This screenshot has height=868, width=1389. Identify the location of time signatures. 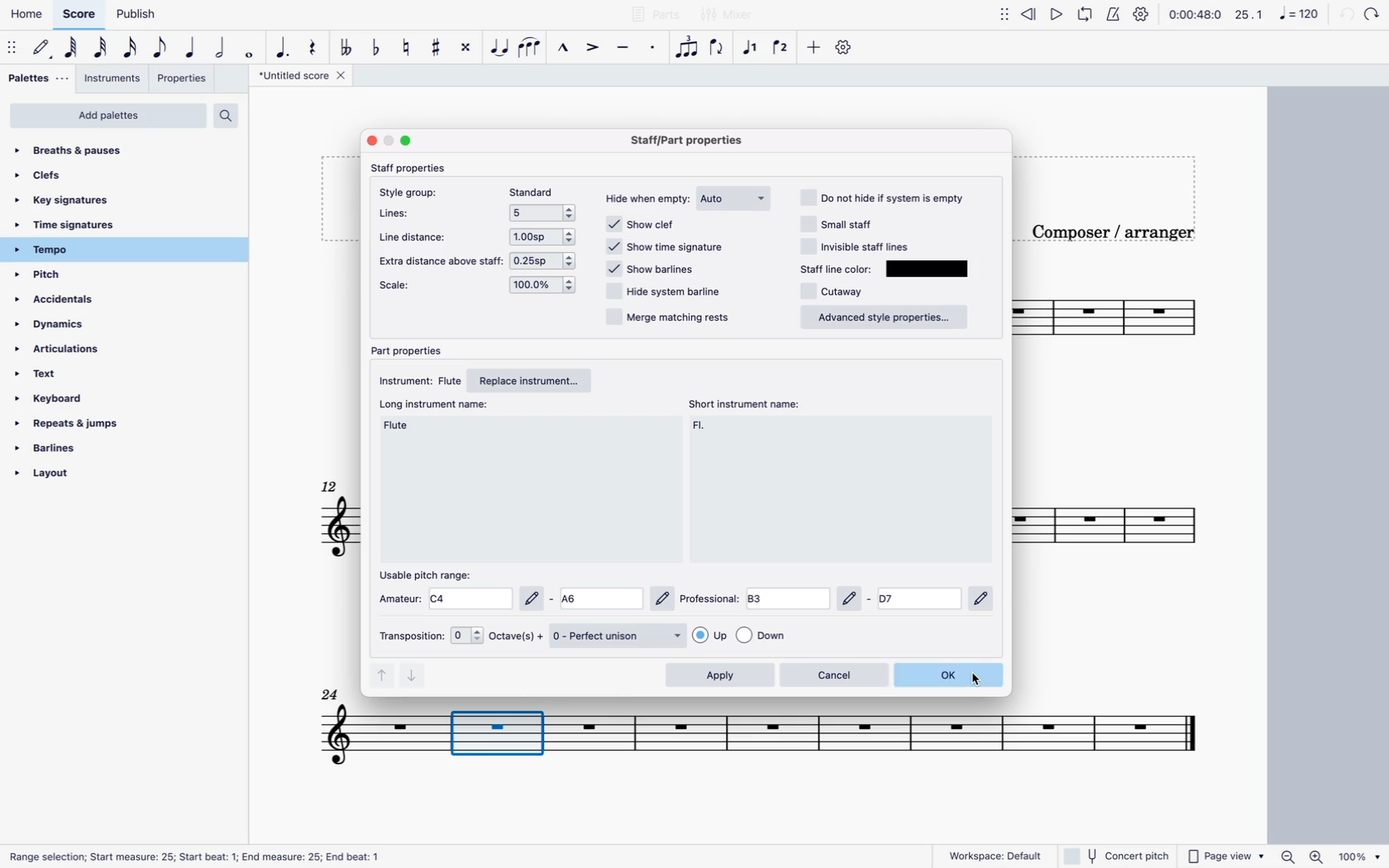
(74, 226).